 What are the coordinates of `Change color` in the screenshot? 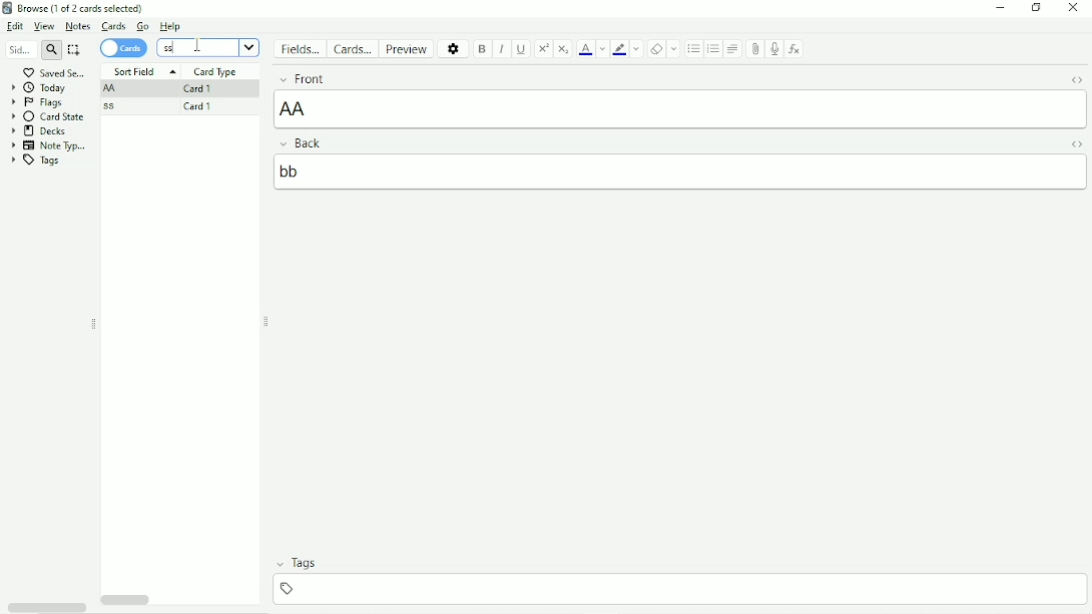 It's located at (638, 49).